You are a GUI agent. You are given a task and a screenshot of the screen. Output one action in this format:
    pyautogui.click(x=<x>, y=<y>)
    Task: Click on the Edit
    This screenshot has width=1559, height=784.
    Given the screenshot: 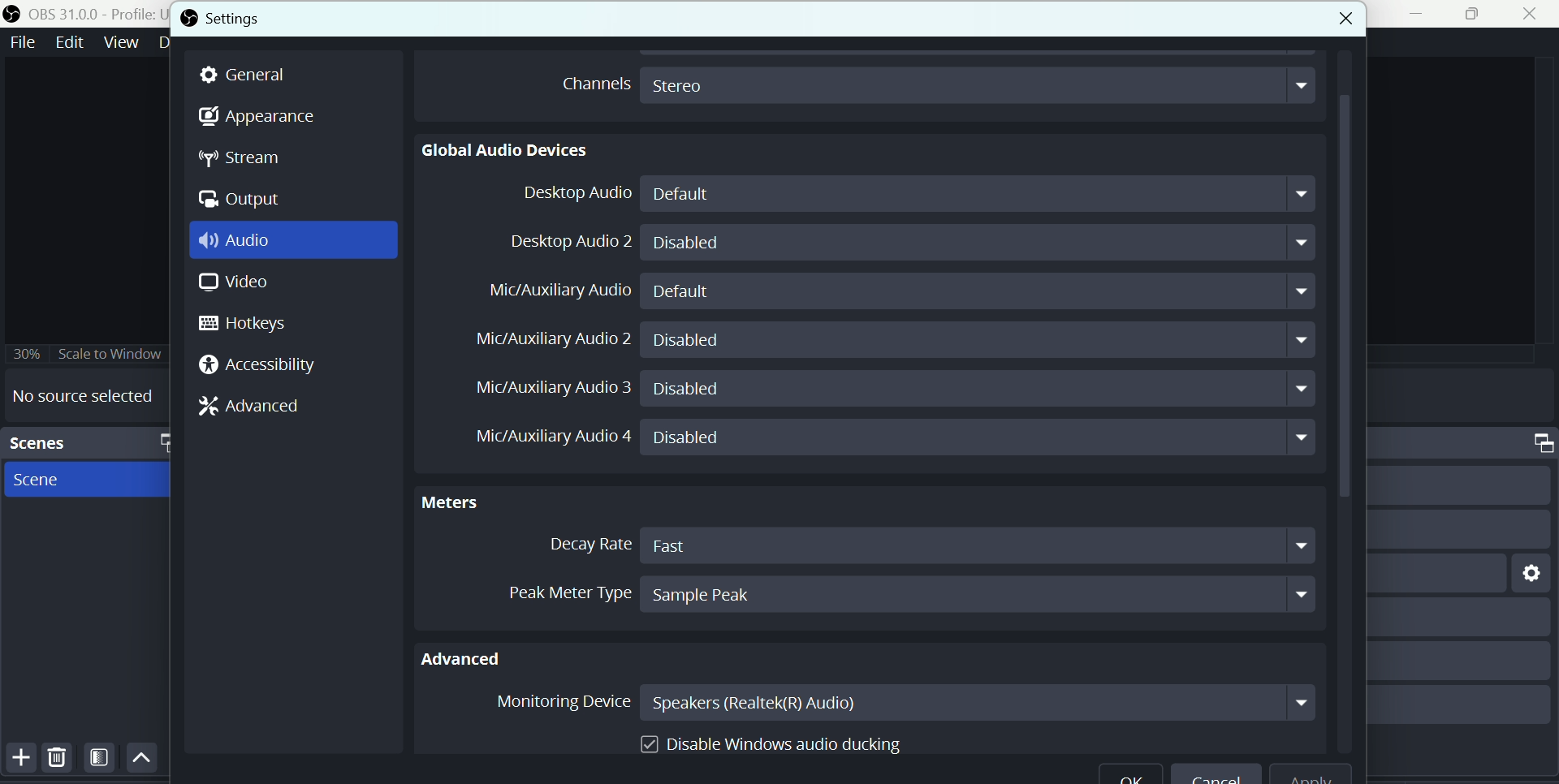 What is the action you would take?
    pyautogui.click(x=67, y=42)
    